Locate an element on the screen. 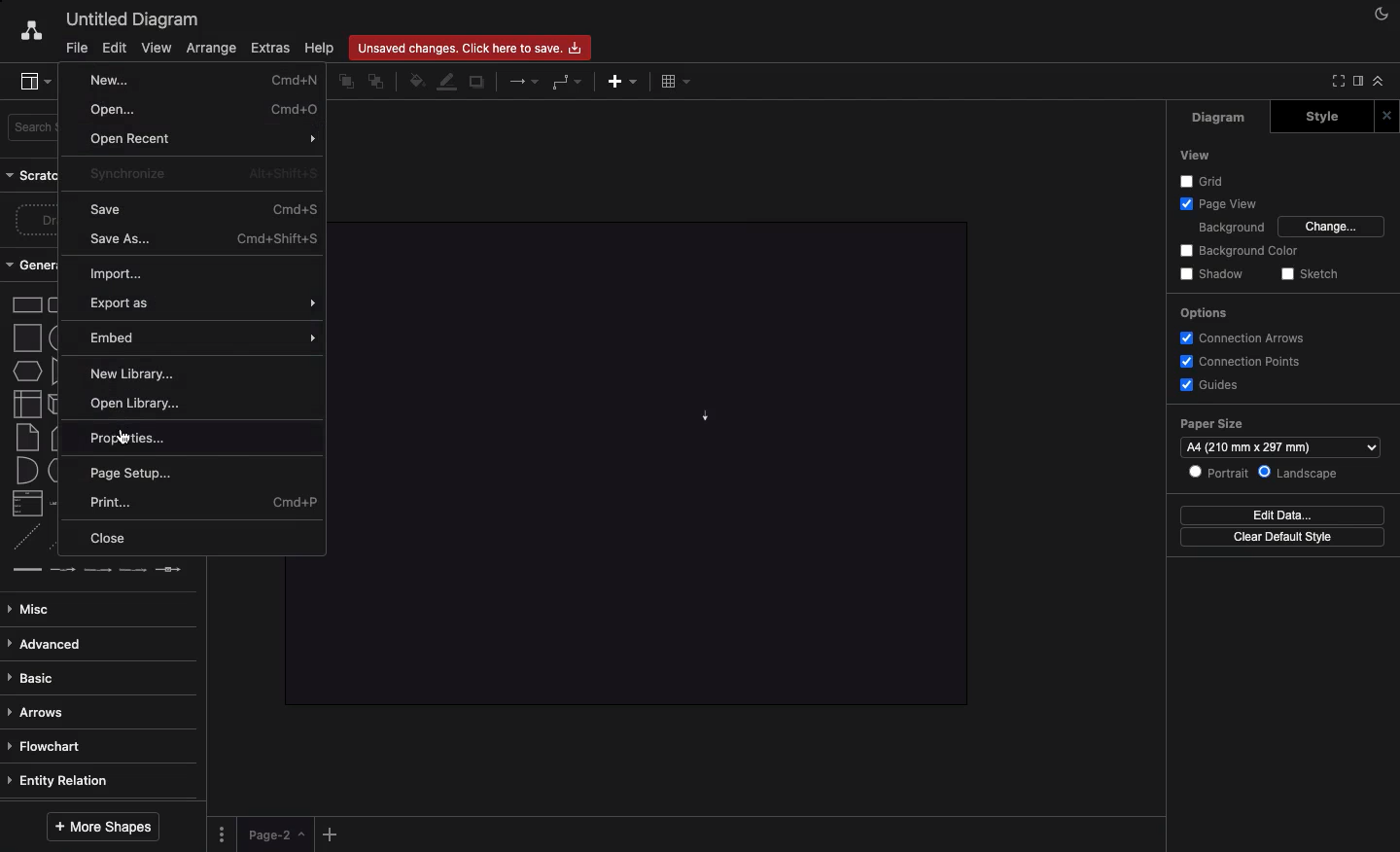  Arrange is located at coordinates (207, 49).